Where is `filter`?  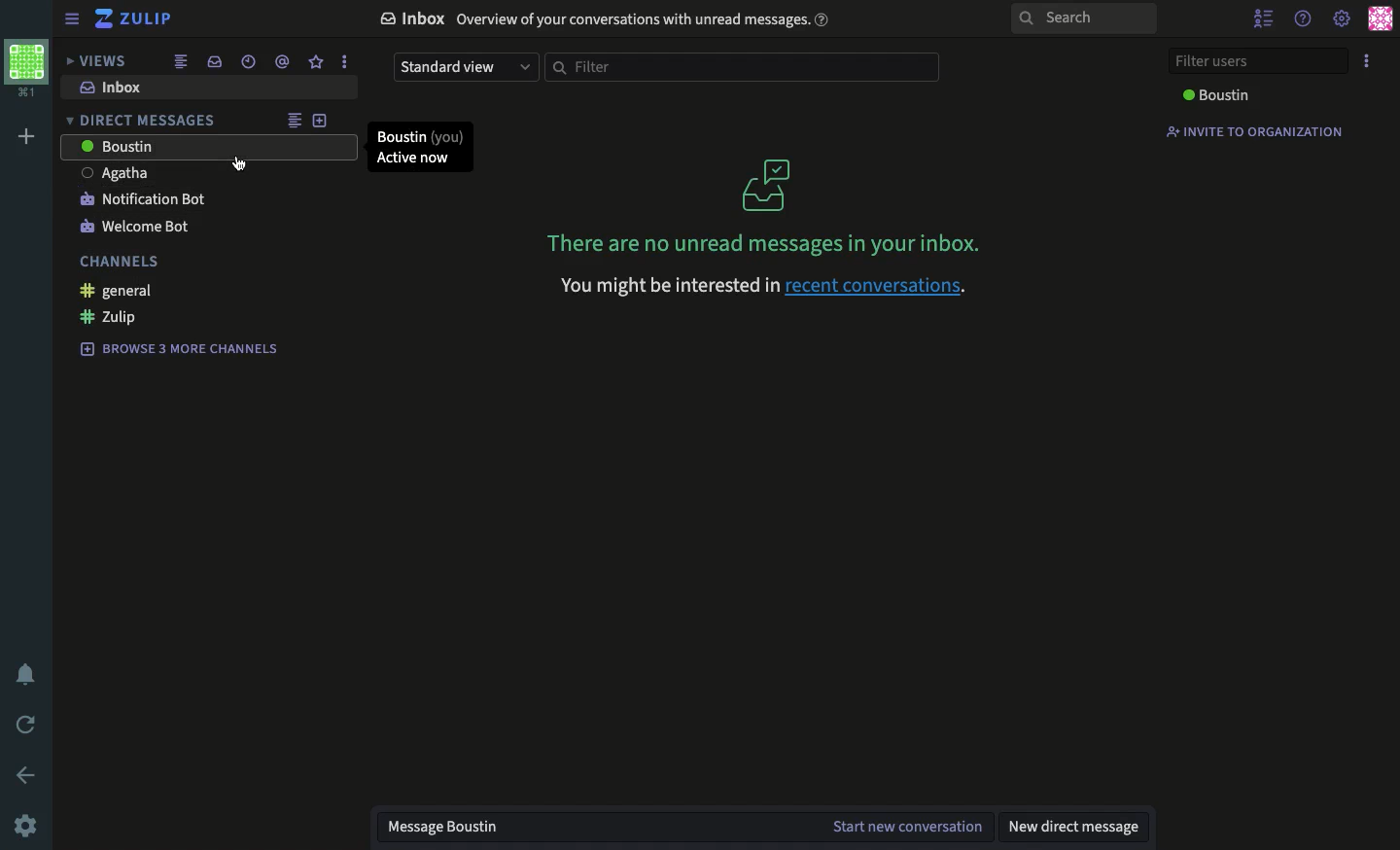
filter is located at coordinates (740, 67).